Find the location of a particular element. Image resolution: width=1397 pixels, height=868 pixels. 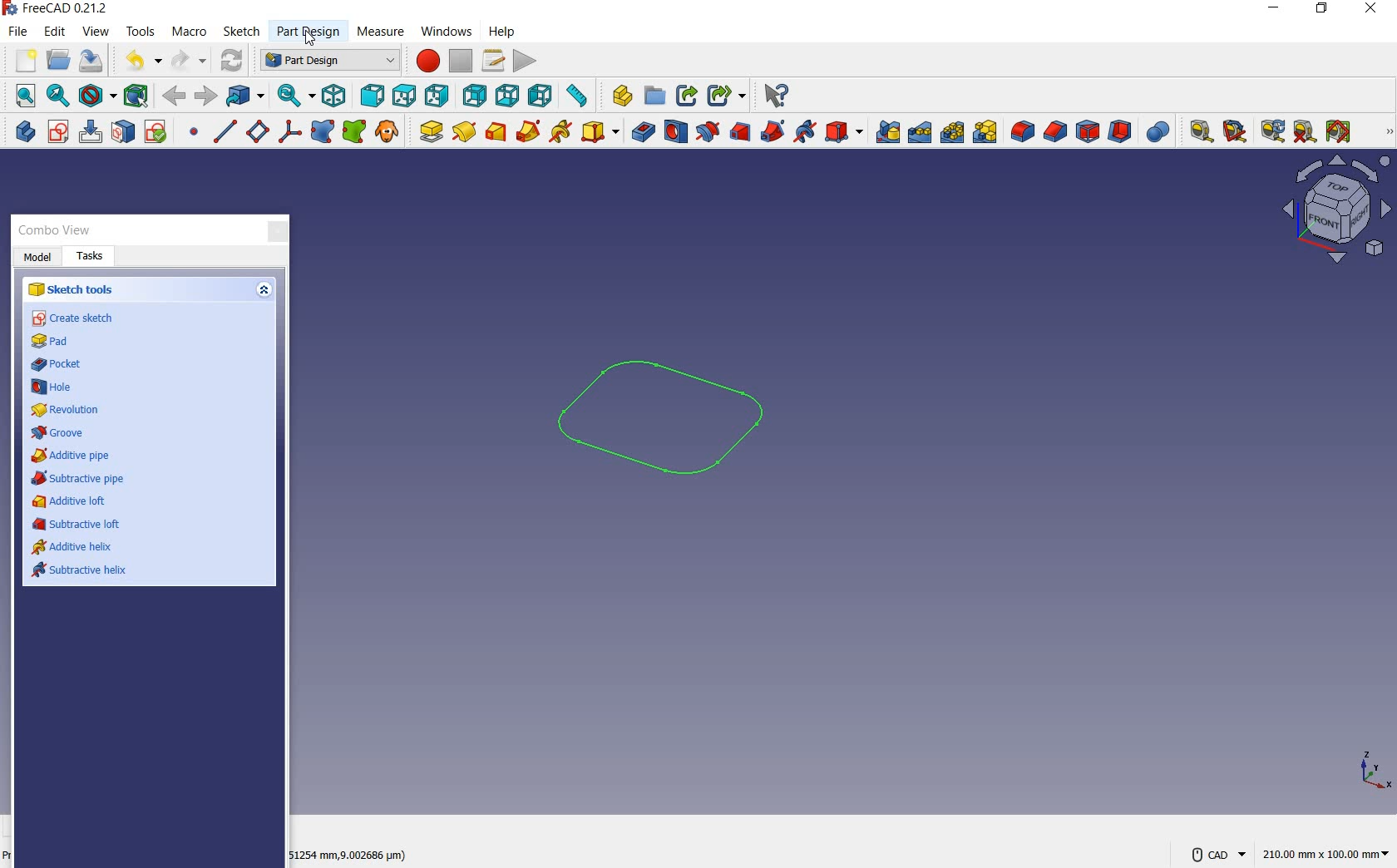

isometric is located at coordinates (336, 96).